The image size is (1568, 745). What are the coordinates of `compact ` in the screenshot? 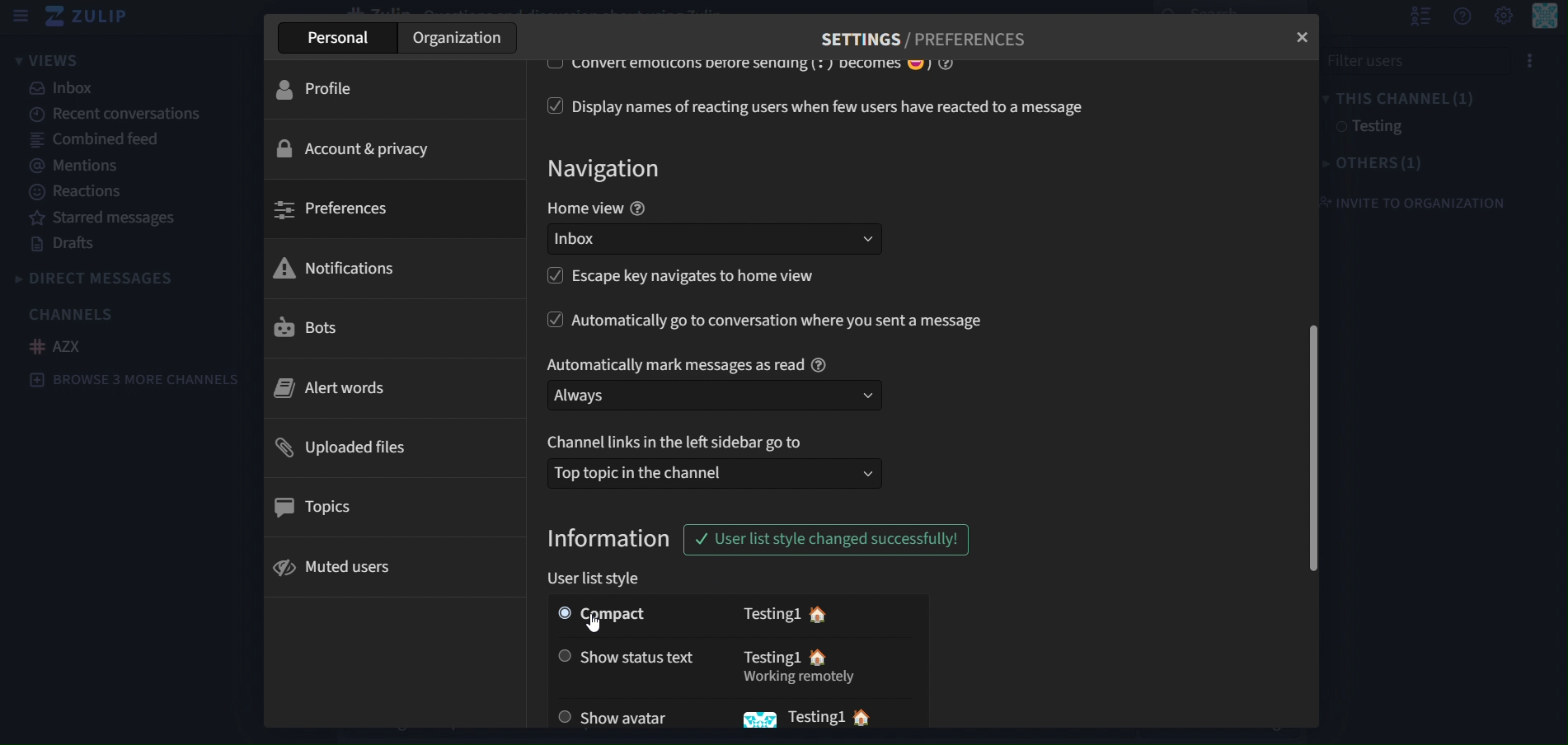 It's located at (630, 616).